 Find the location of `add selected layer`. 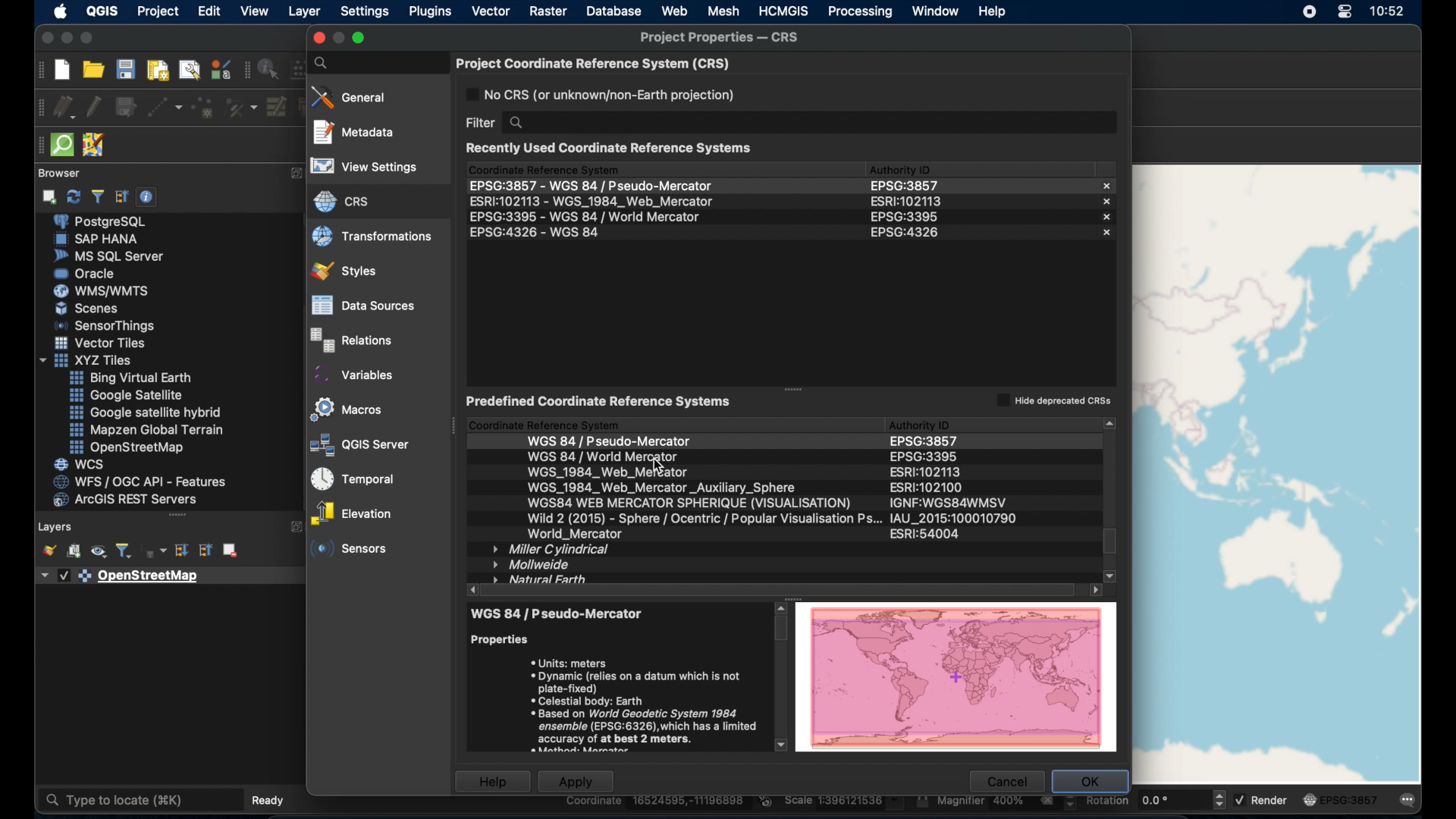

add selected layer is located at coordinates (49, 199).